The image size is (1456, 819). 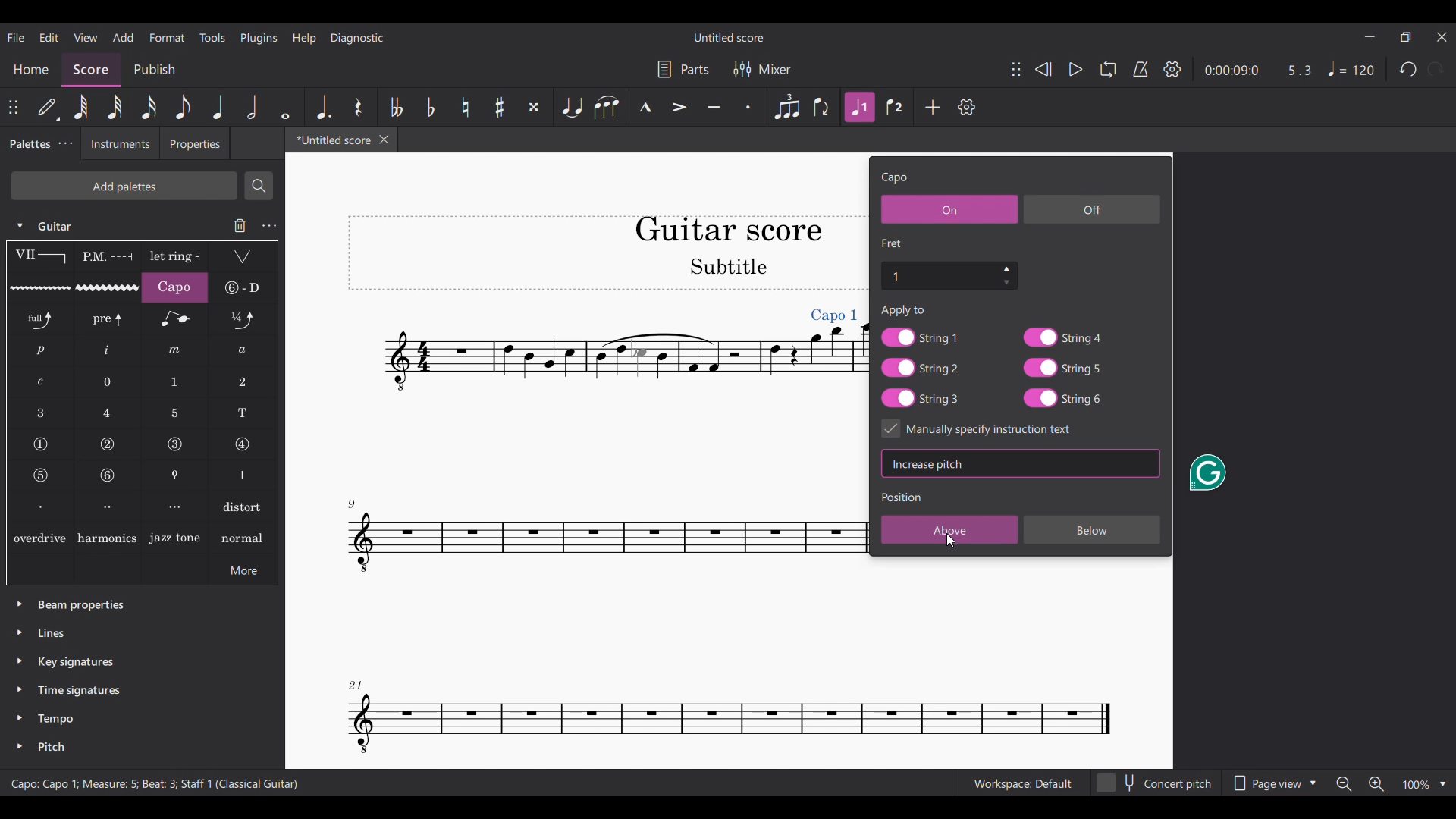 What do you see at coordinates (216, 106) in the screenshot?
I see `Quarter note highlighted after current selection` at bounding box center [216, 106].